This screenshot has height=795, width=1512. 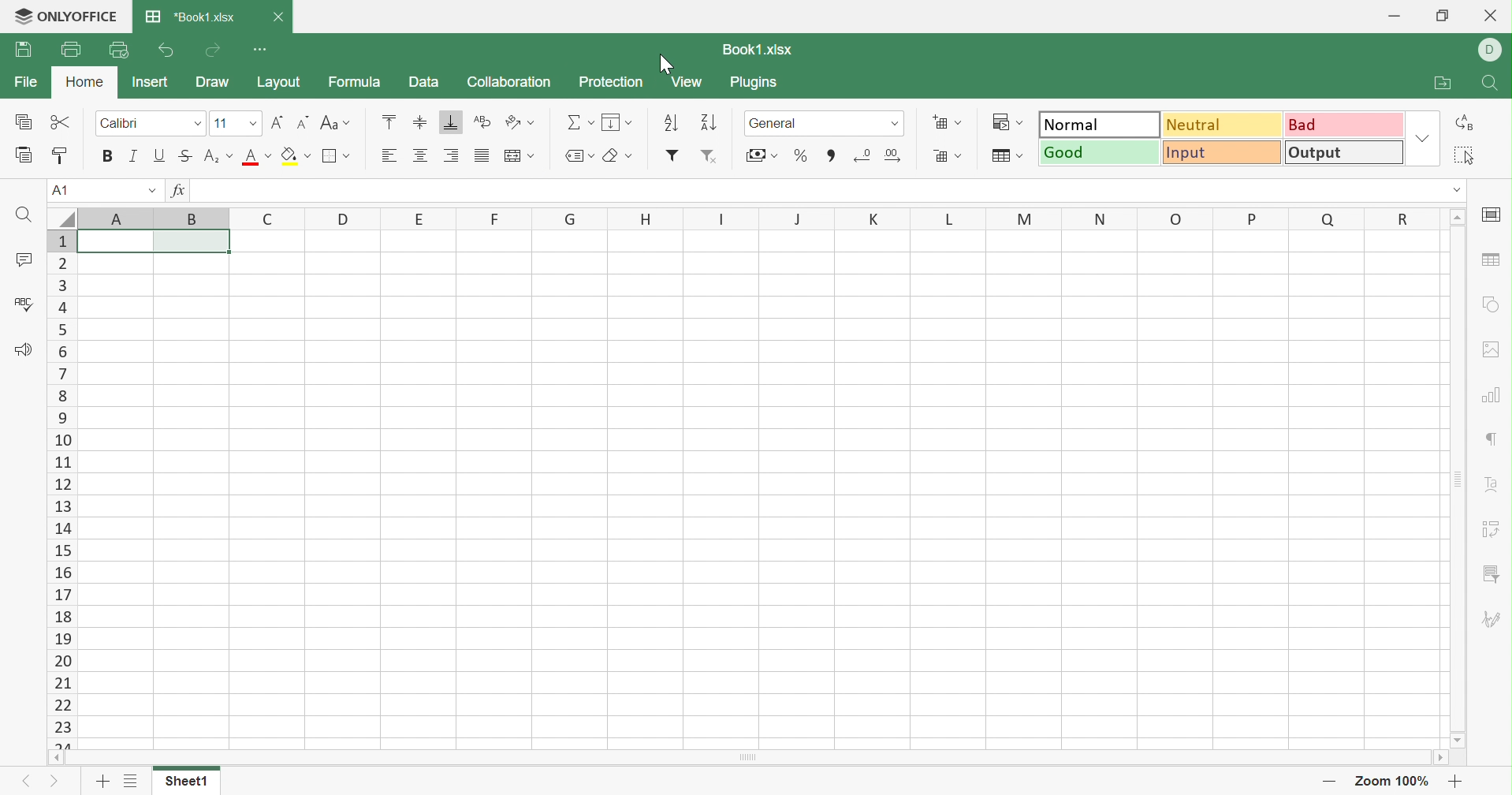 What do you see at coordinates (1344, 153) in the screenshot?
I see `Output` at bounding box center [1344, 153].